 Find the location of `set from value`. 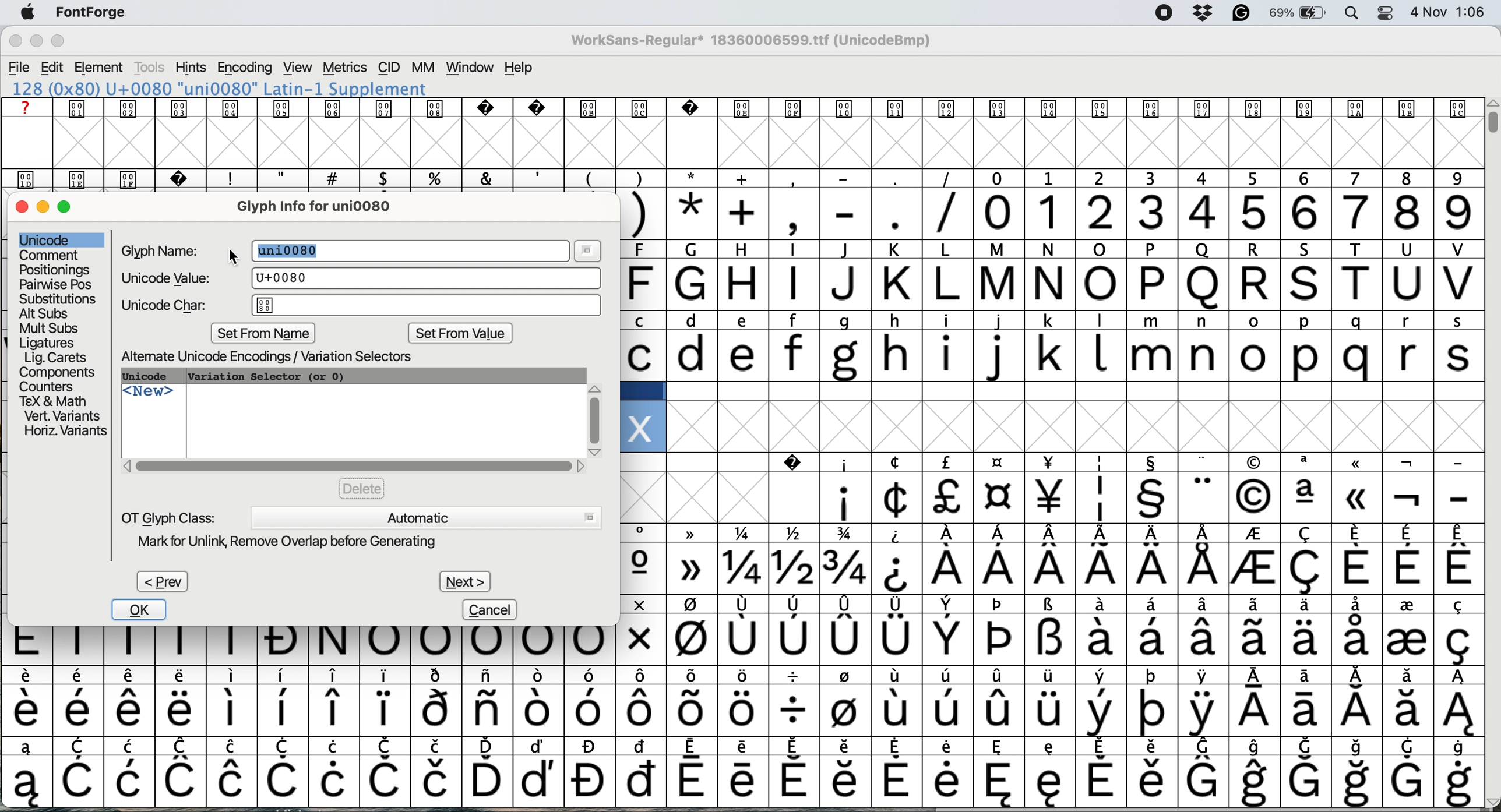

set from value is located at coordinates (460, 335).